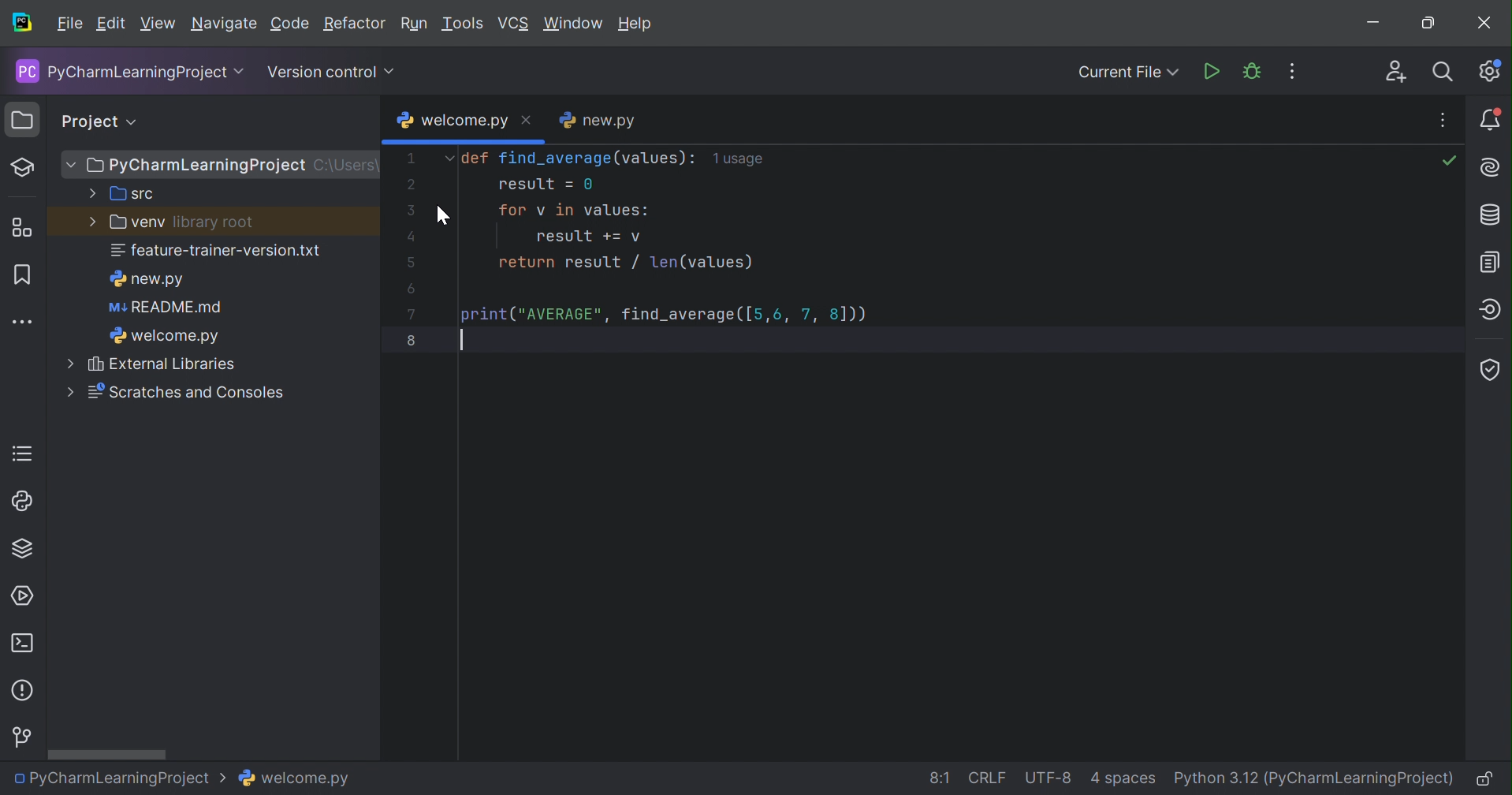 The image size is (1512, 795). What do you see at coordinates (23, 451) in the screenshot?
I see `TODO` at bounding box center [23, 451].